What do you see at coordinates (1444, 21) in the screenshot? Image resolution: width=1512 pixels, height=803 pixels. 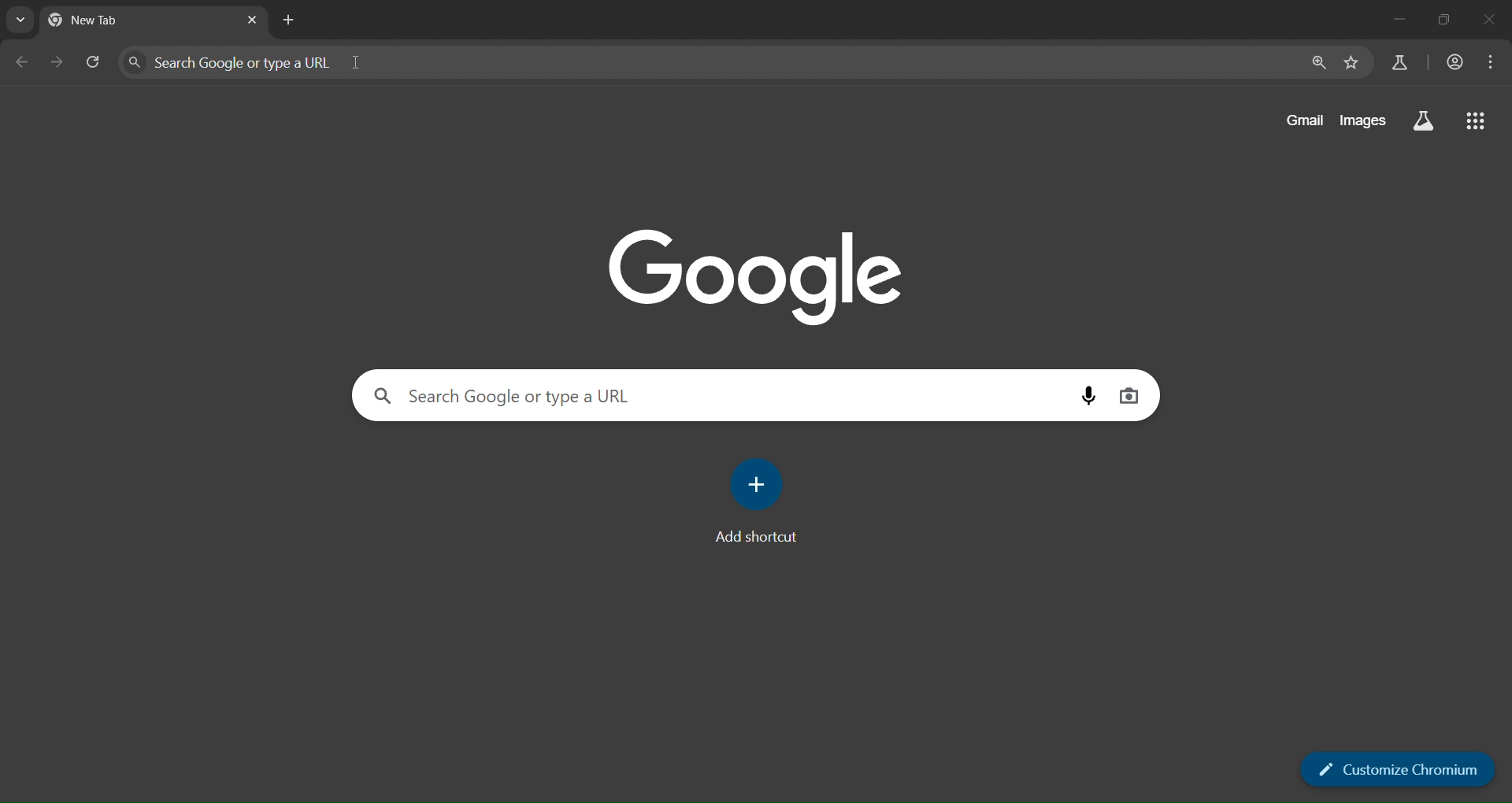 I see `restore down` at bounding box center [1444, 21].